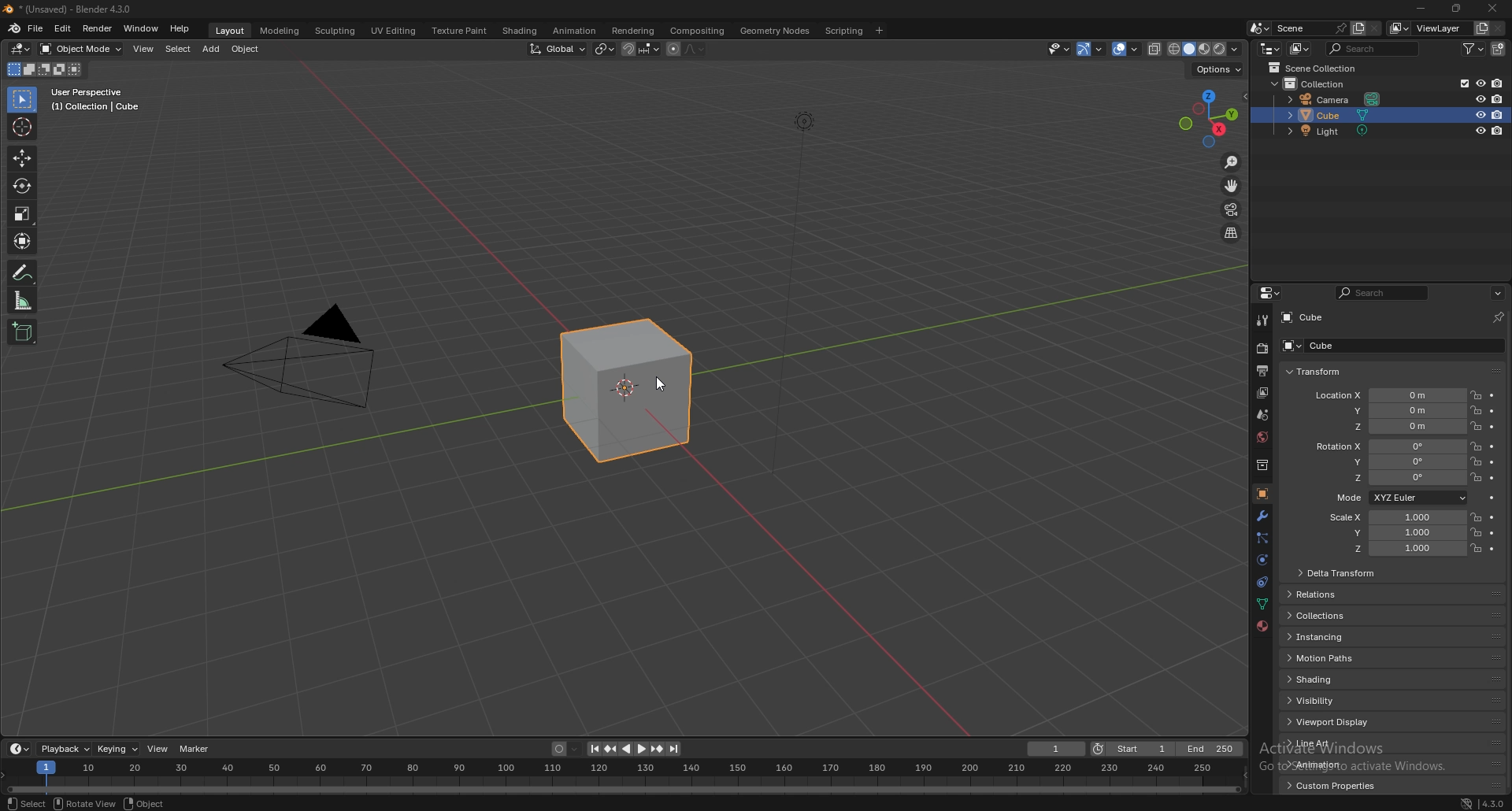  Describe the element at coordinates (21, 241) in the screenshot. I see `transform` at that location.